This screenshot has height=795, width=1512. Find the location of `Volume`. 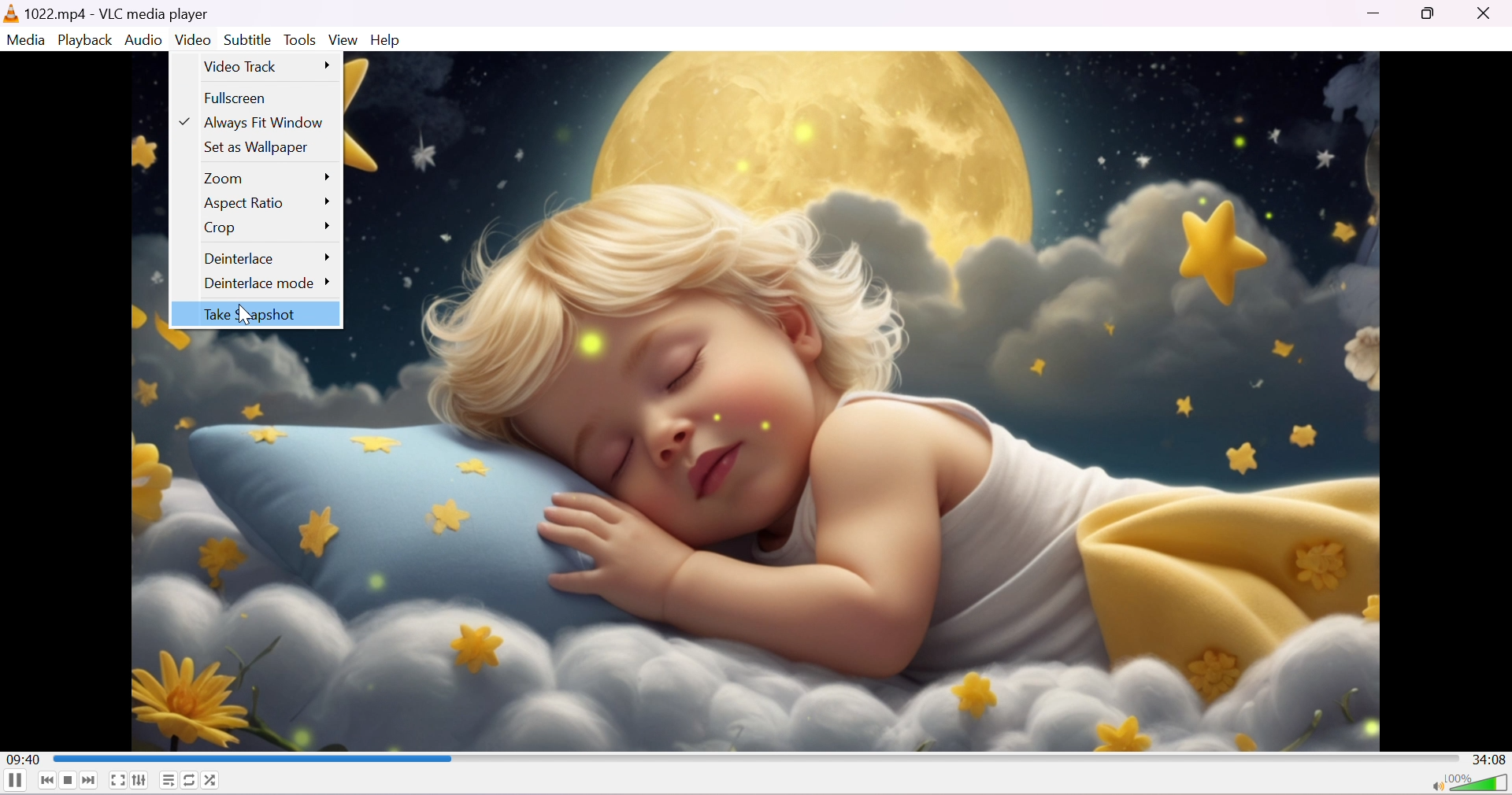

Volume is located at coordinates (1480, 782).